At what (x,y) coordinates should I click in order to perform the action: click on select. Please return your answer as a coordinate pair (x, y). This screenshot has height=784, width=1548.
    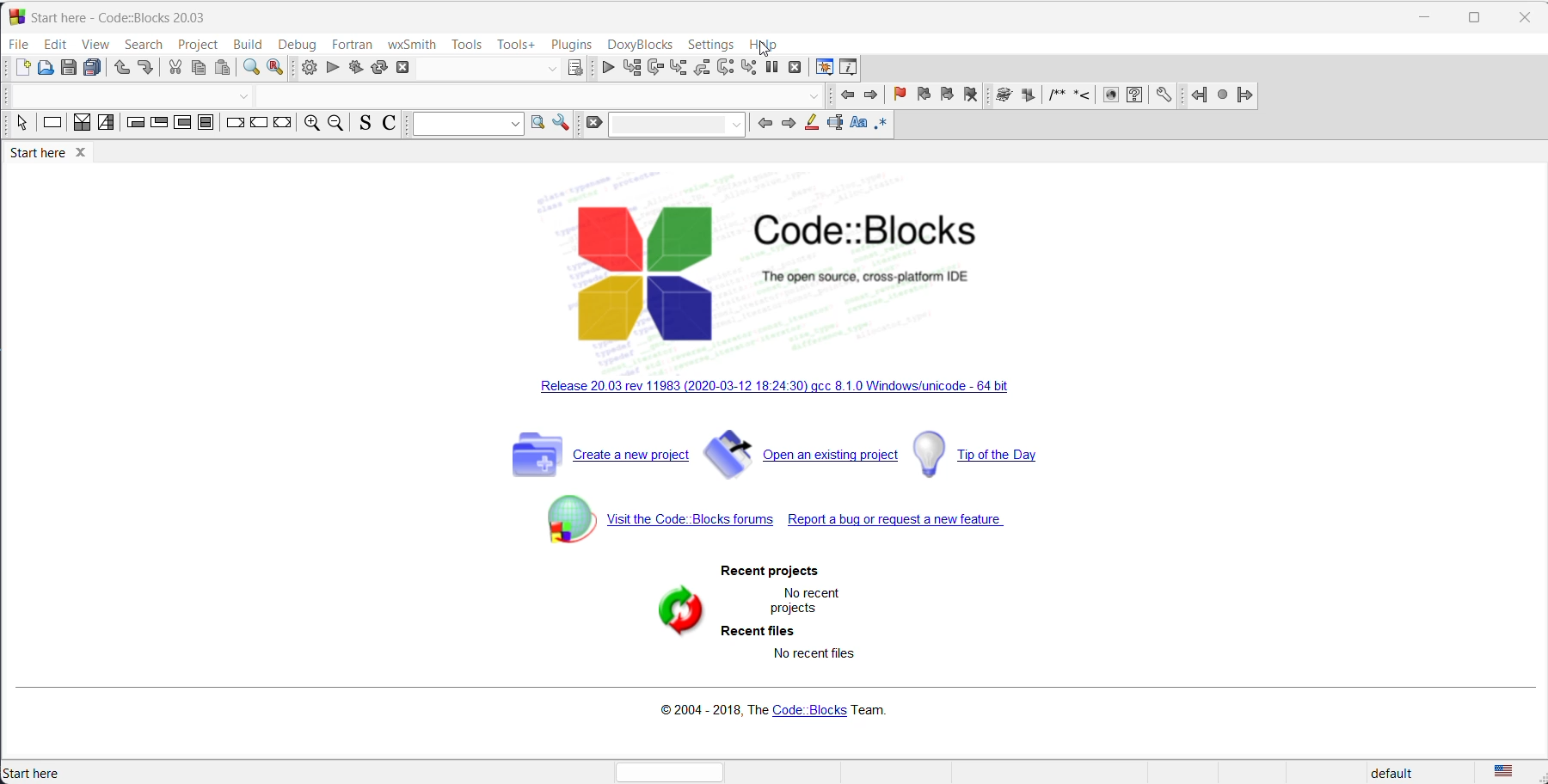
    Looking at the image, I should click on (16, 124).